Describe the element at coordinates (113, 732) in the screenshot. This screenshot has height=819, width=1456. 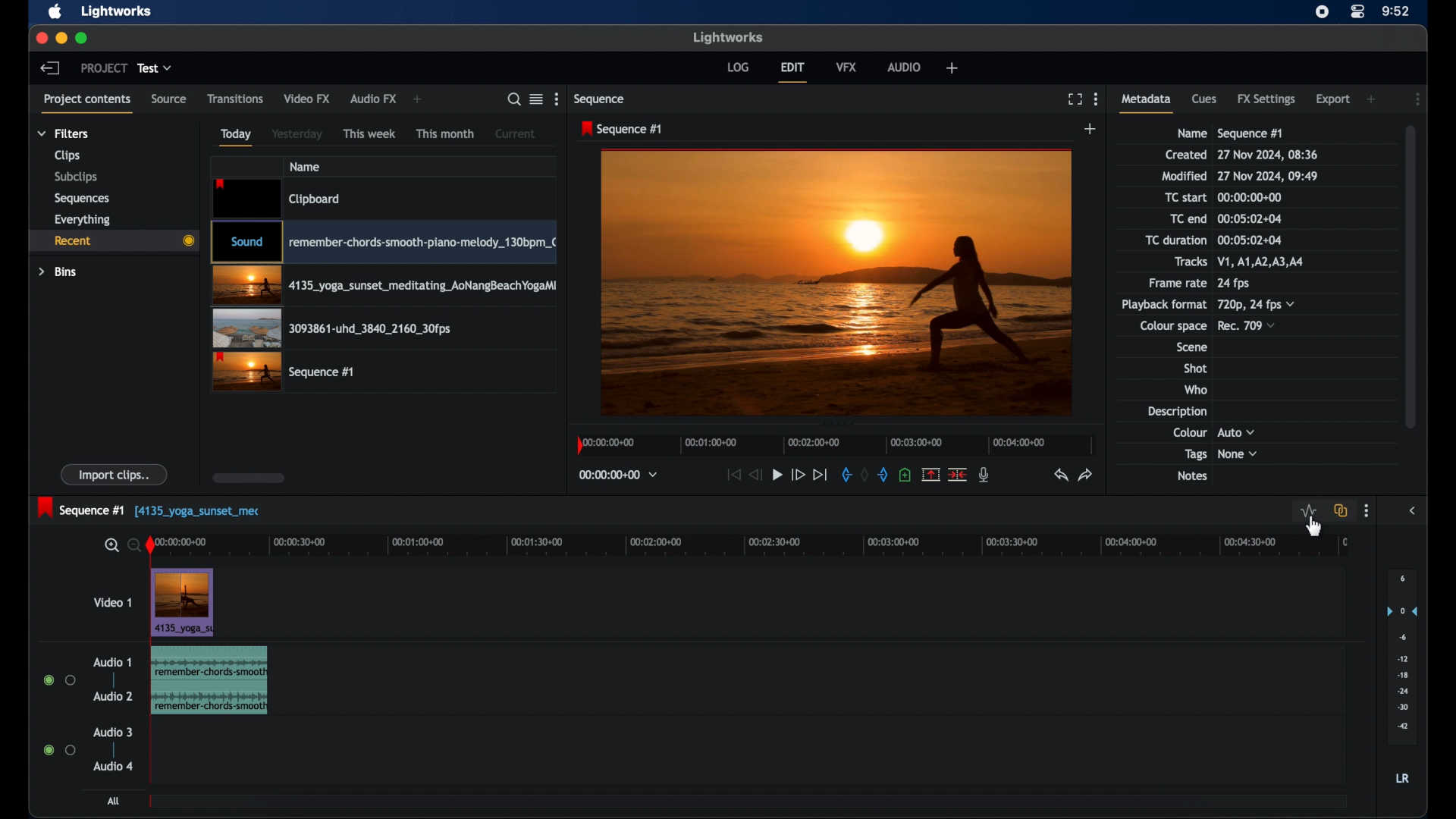
I see `audio 3` at that location.